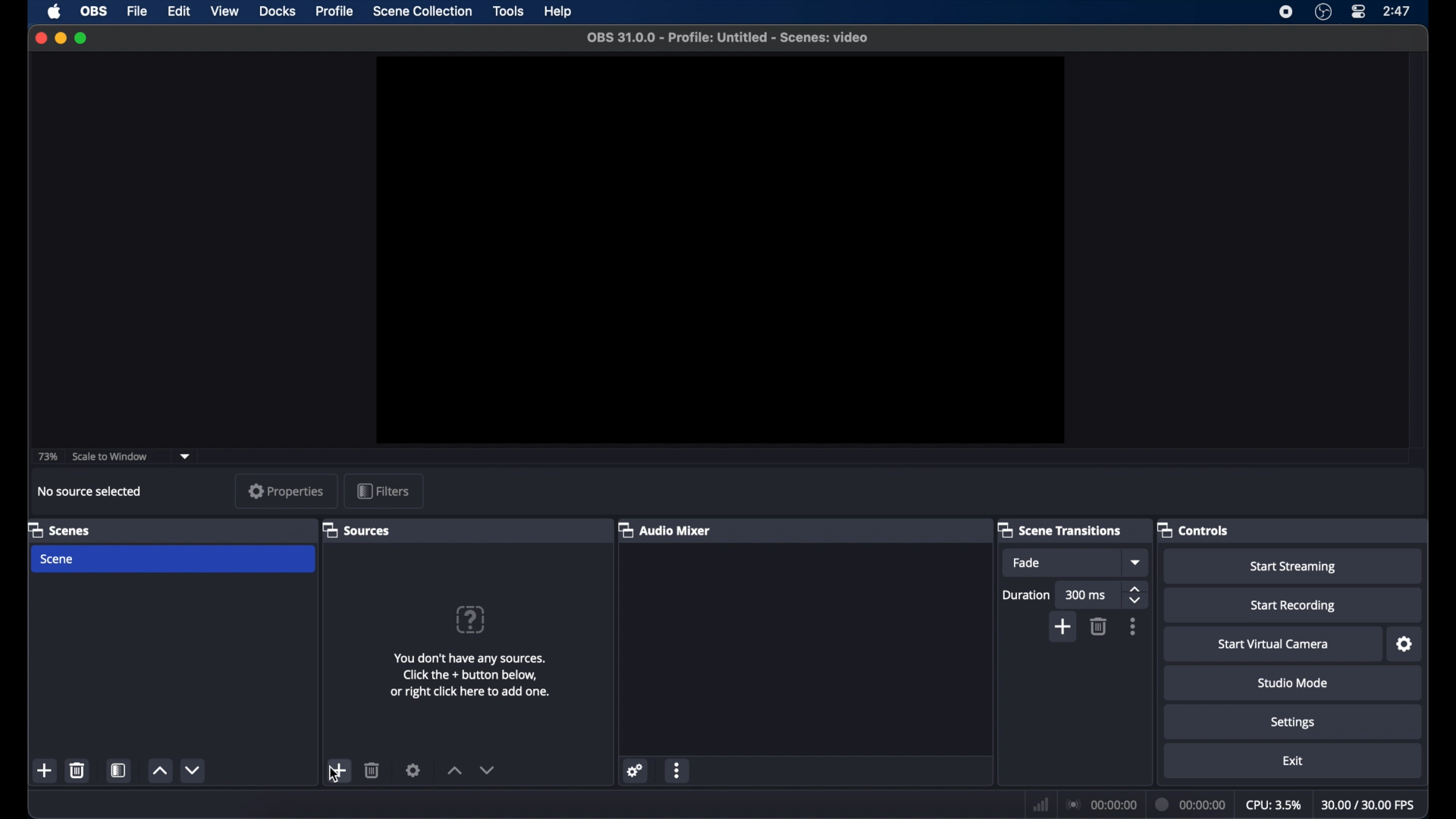 This screenshot has width=1456, height=819. What do you see at coordinates (664, 529) in the screenshot?
I see `audio mixer` at bounding box center [664, 529].